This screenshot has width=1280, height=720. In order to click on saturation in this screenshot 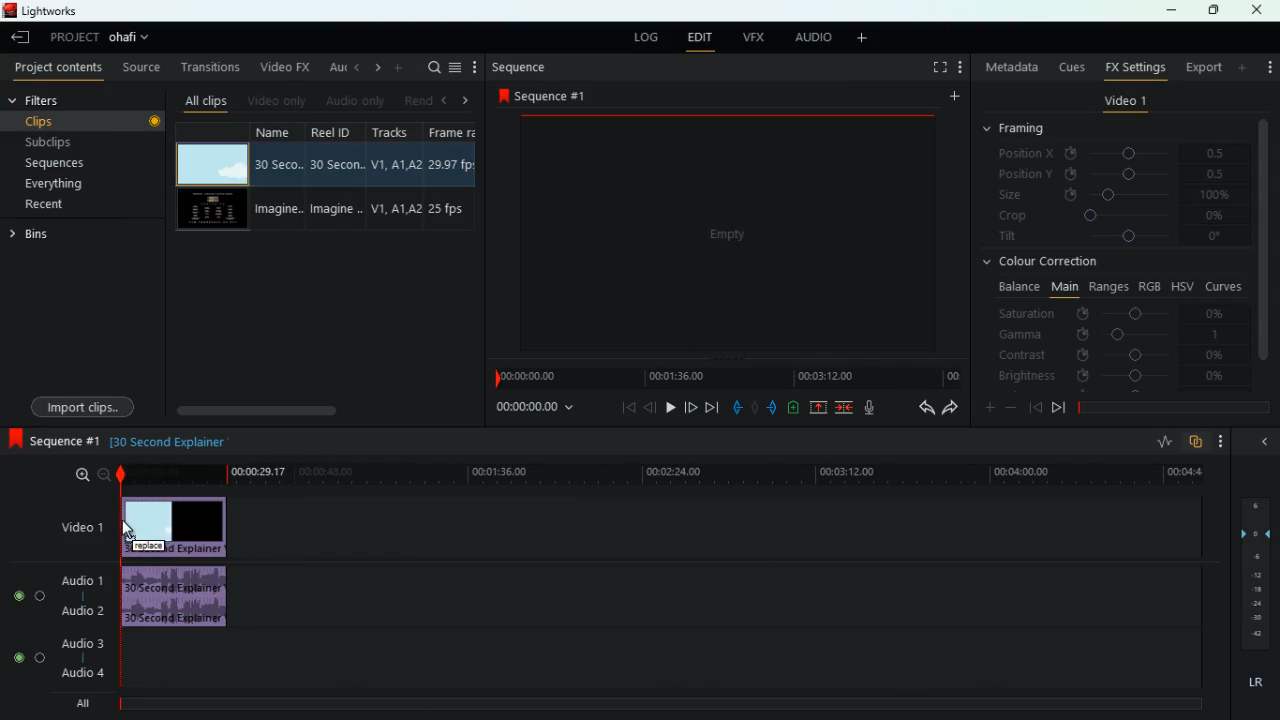, I will do `click(1116, 313)`.